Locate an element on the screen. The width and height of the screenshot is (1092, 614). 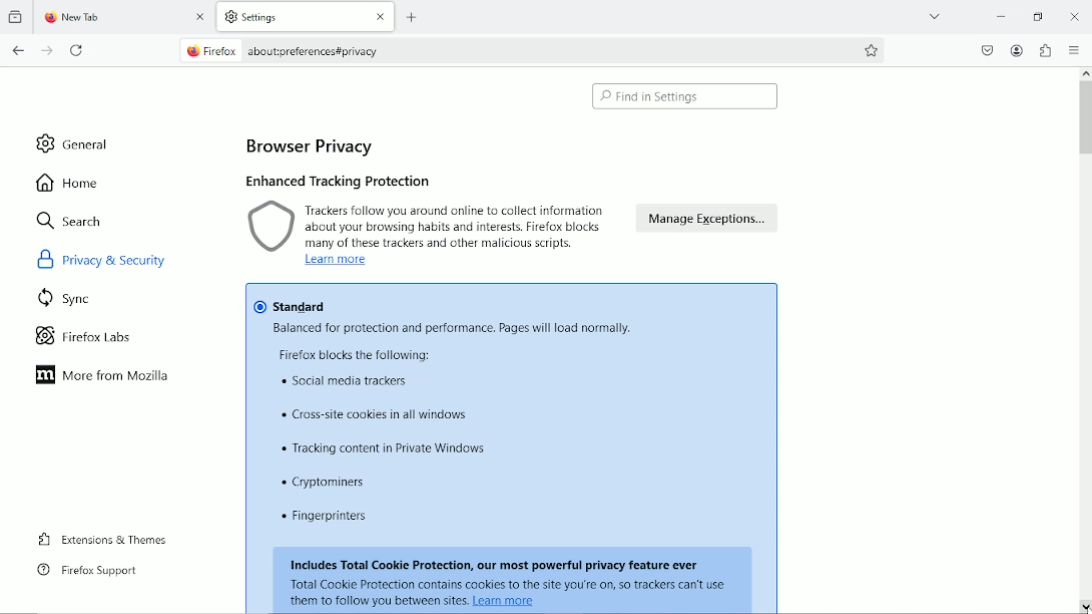
enhanced tracking protection is located at coordinates (337, 181).